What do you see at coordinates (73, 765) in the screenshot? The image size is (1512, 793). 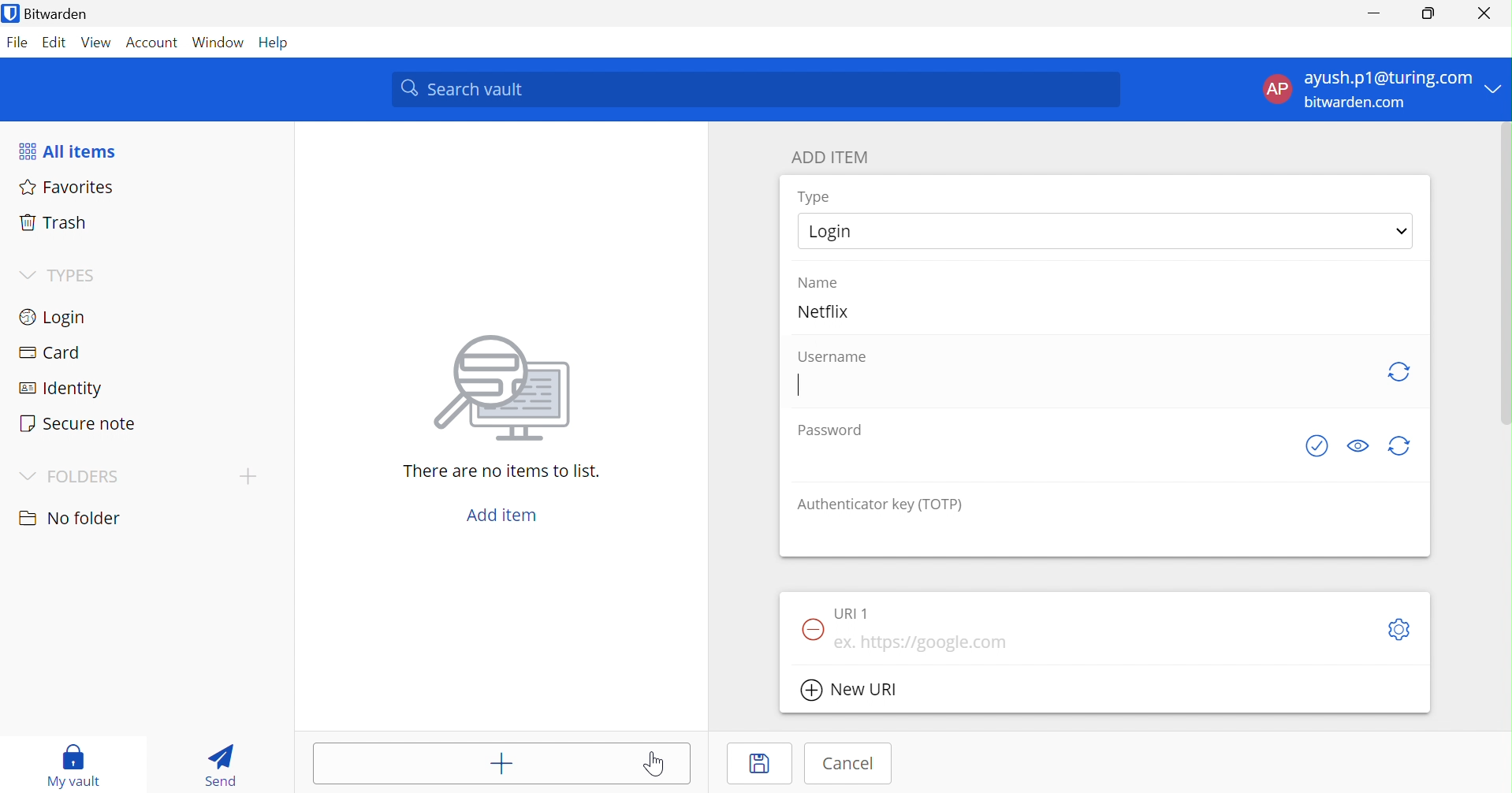 I see `My vault` at bounding box center [73, 765].